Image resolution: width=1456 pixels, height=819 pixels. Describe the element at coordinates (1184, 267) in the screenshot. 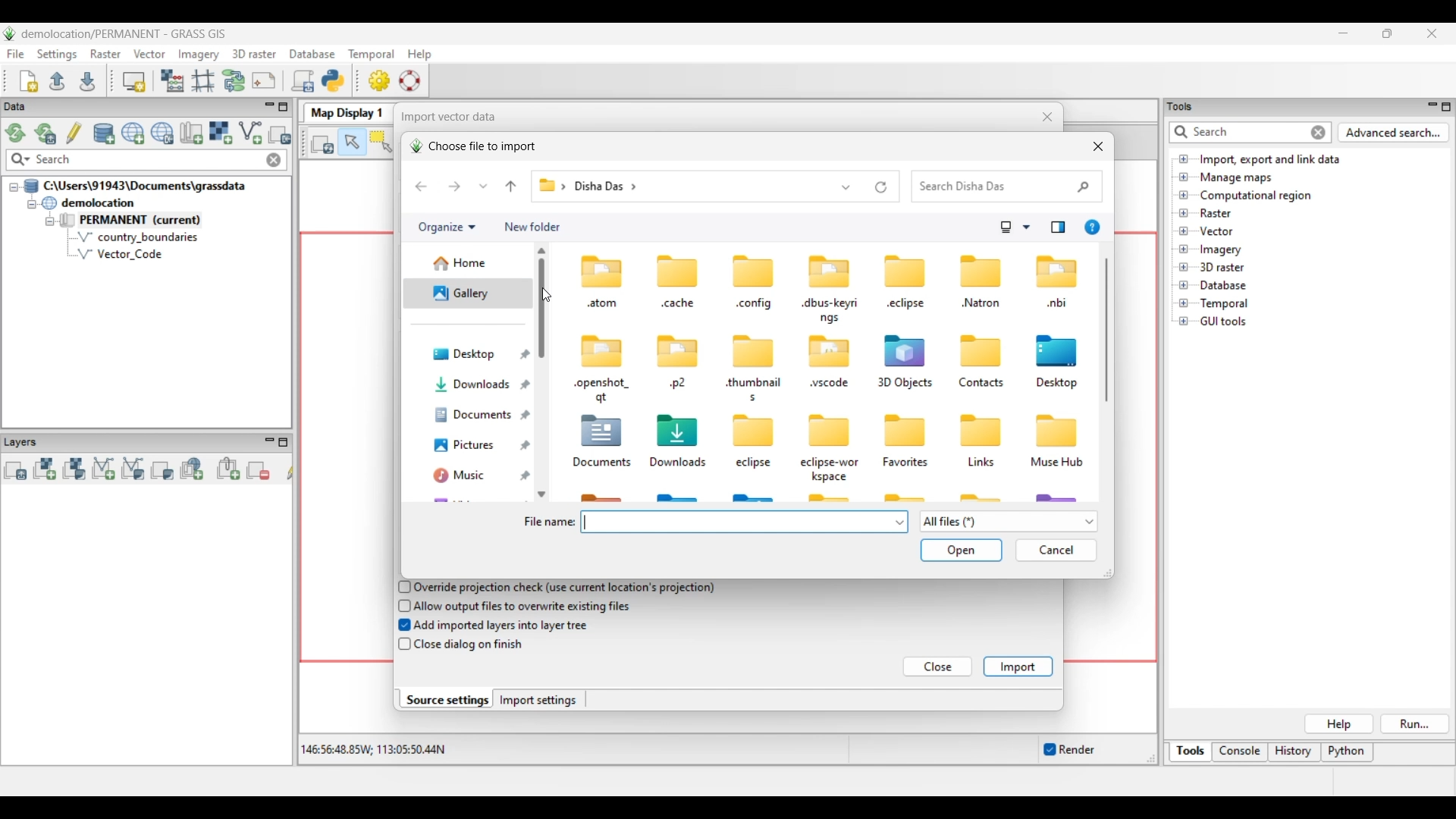

I see `Click to open files under 3D Raster` at that location.